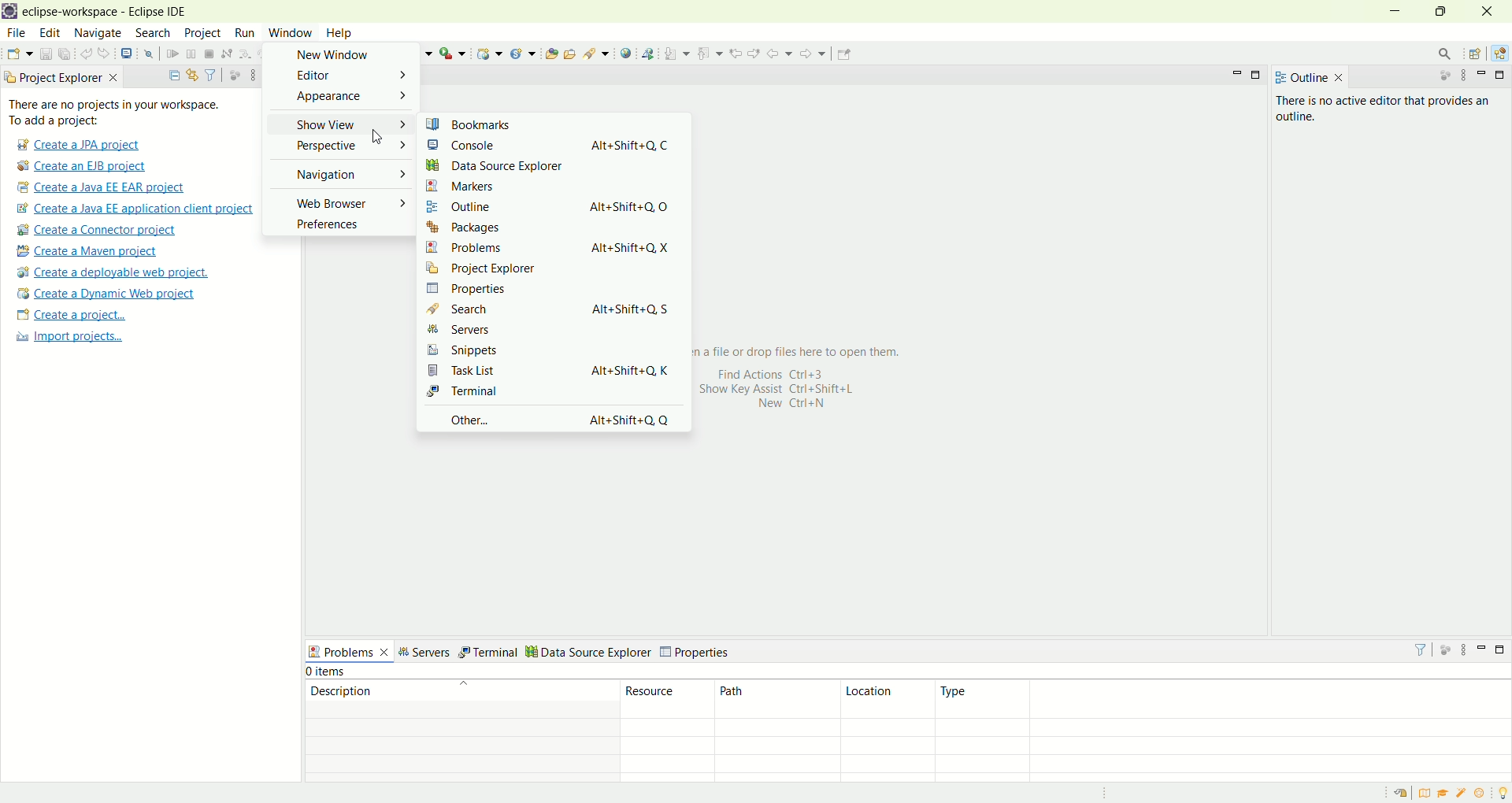 This screenshot has width=1512, height=803. I want to click on open web browser, so click(626, 54).